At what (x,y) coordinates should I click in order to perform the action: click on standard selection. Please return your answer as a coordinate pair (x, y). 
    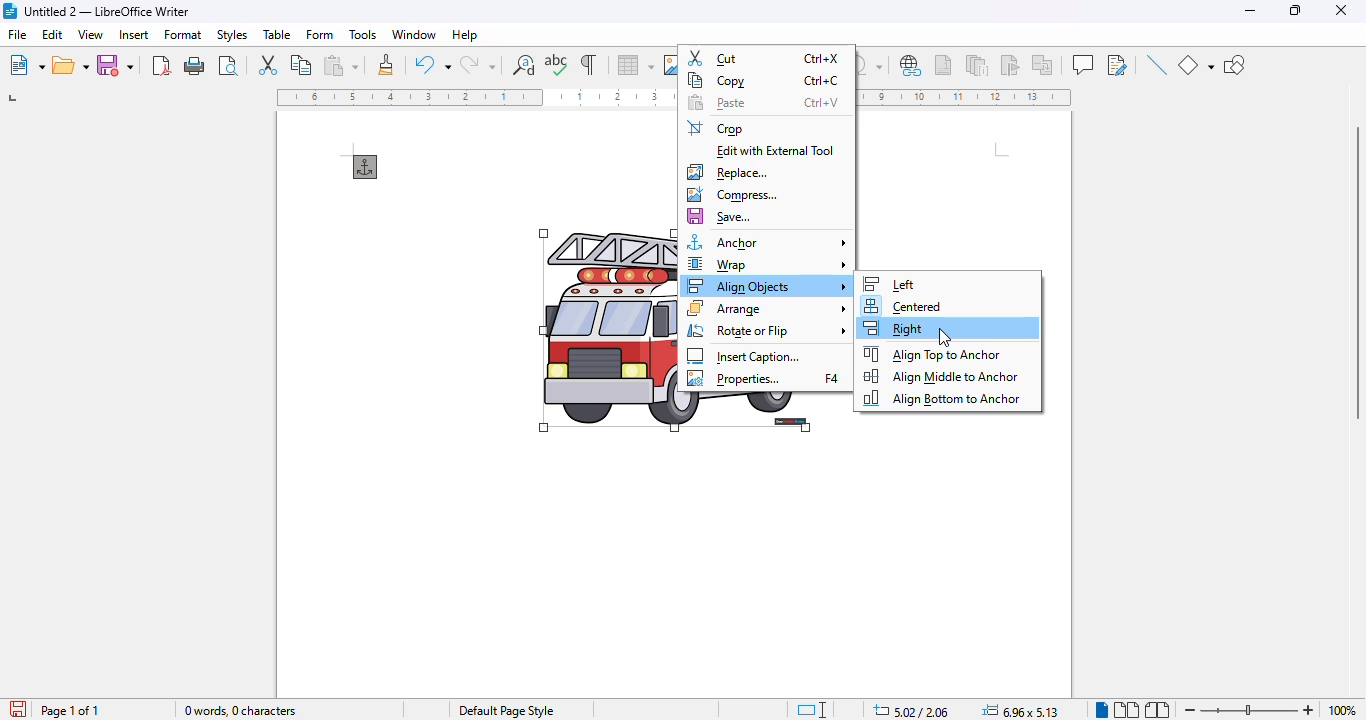
    Looking at the image, I should click on (812, 710).